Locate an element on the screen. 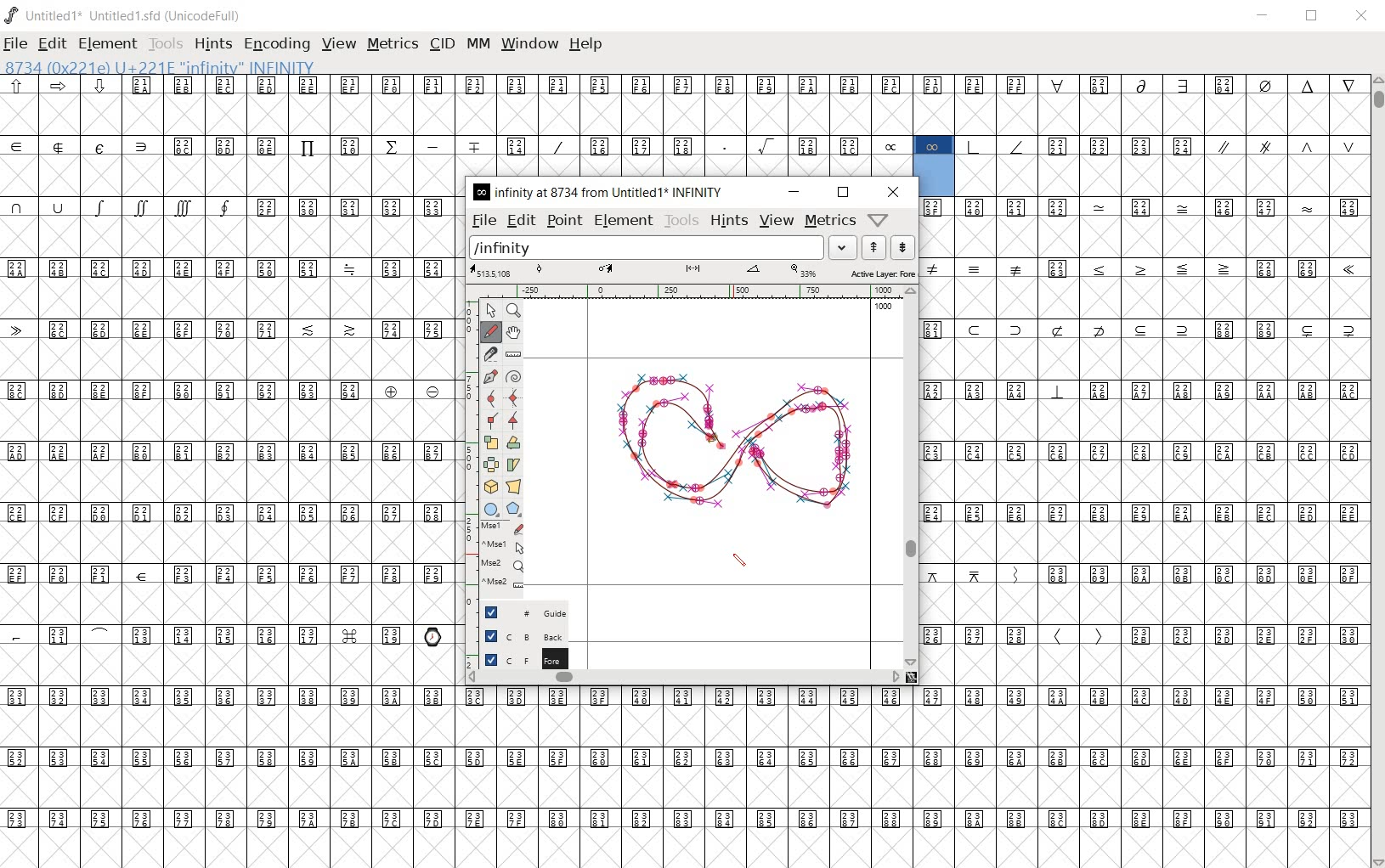  hints is located at coordinates (213, 42).